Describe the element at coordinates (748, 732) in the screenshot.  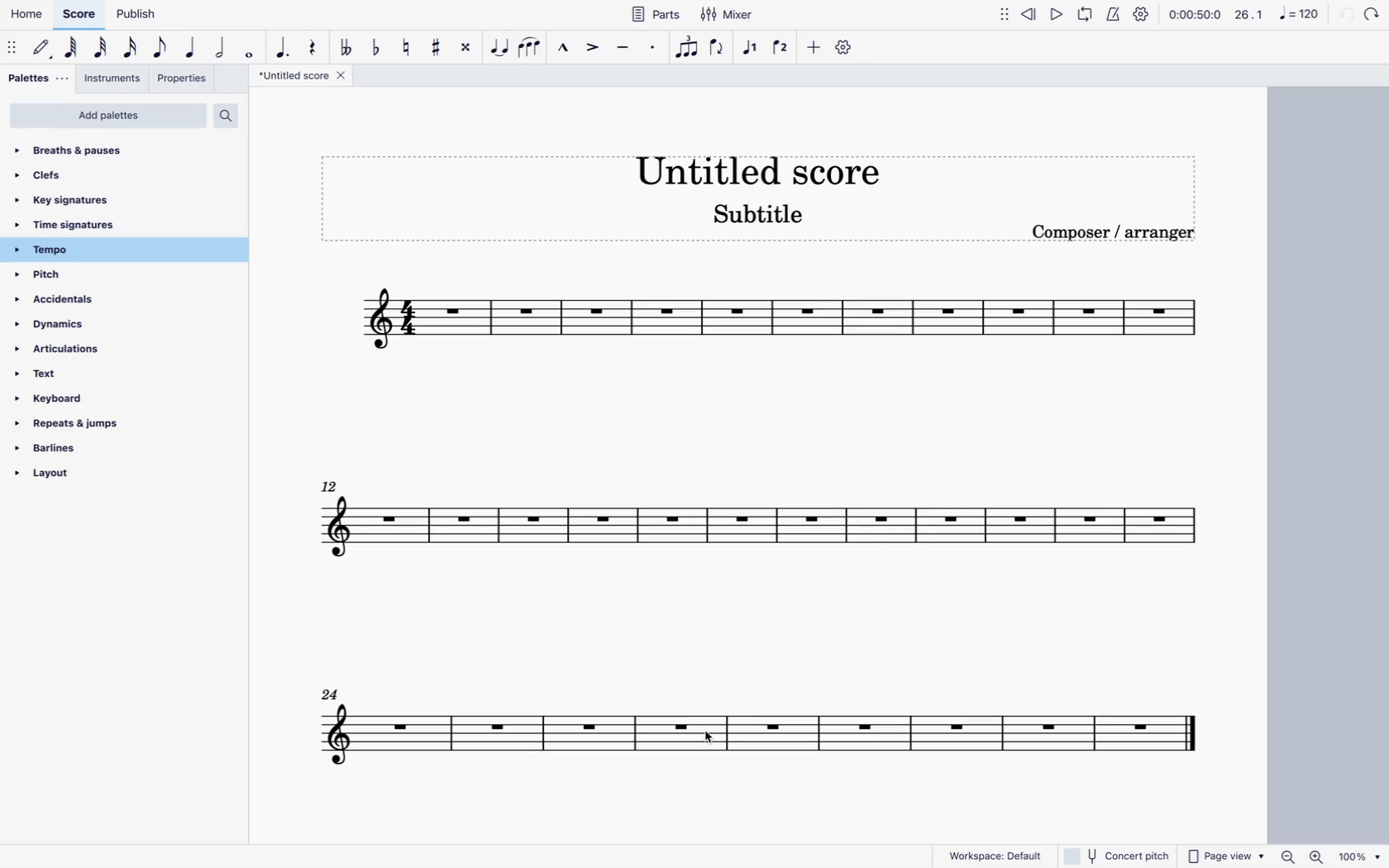
I see `score` at that location.